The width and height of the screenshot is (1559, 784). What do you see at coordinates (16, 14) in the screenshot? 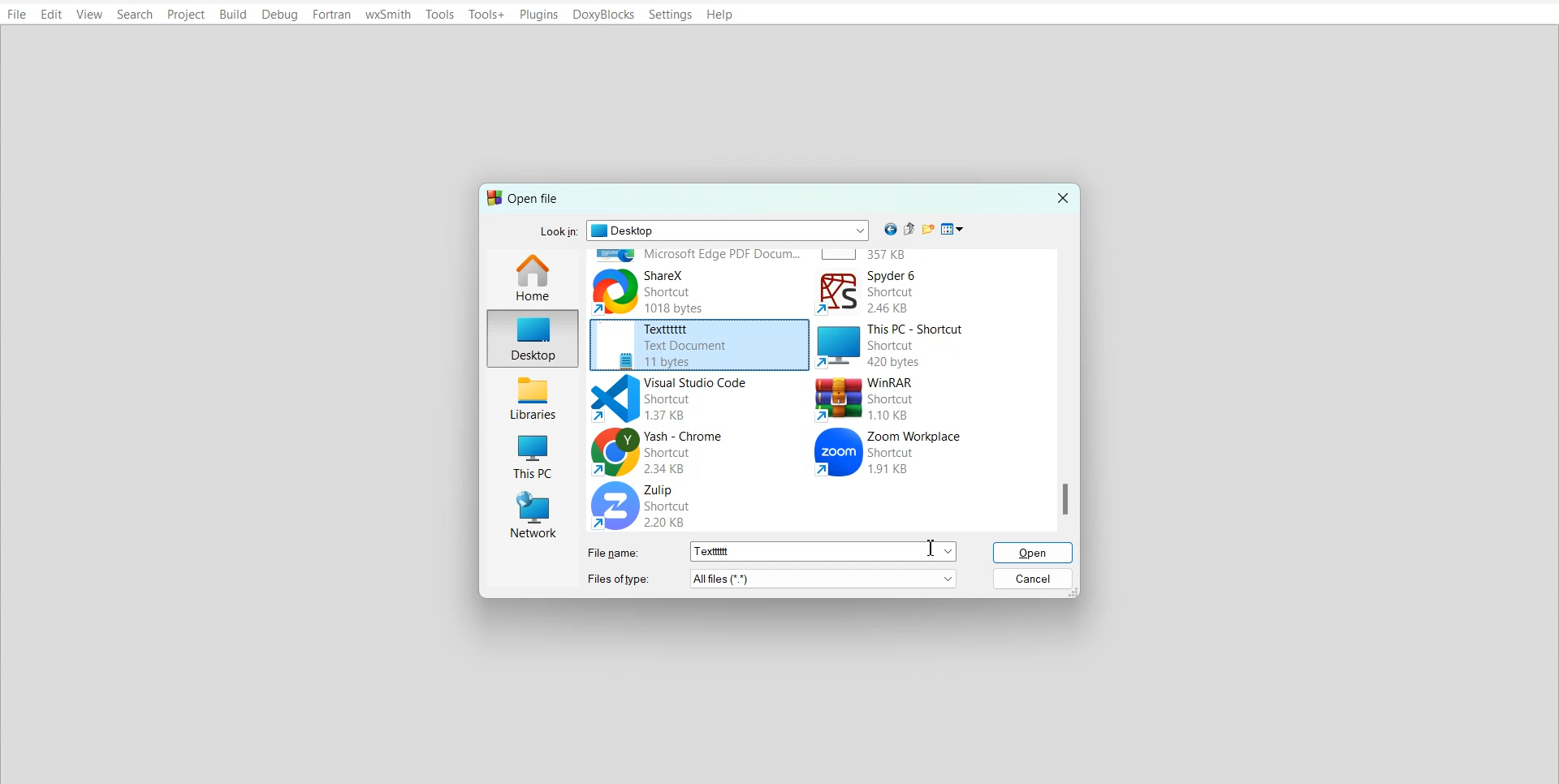
I see `File` at bounding box center [16, 14].